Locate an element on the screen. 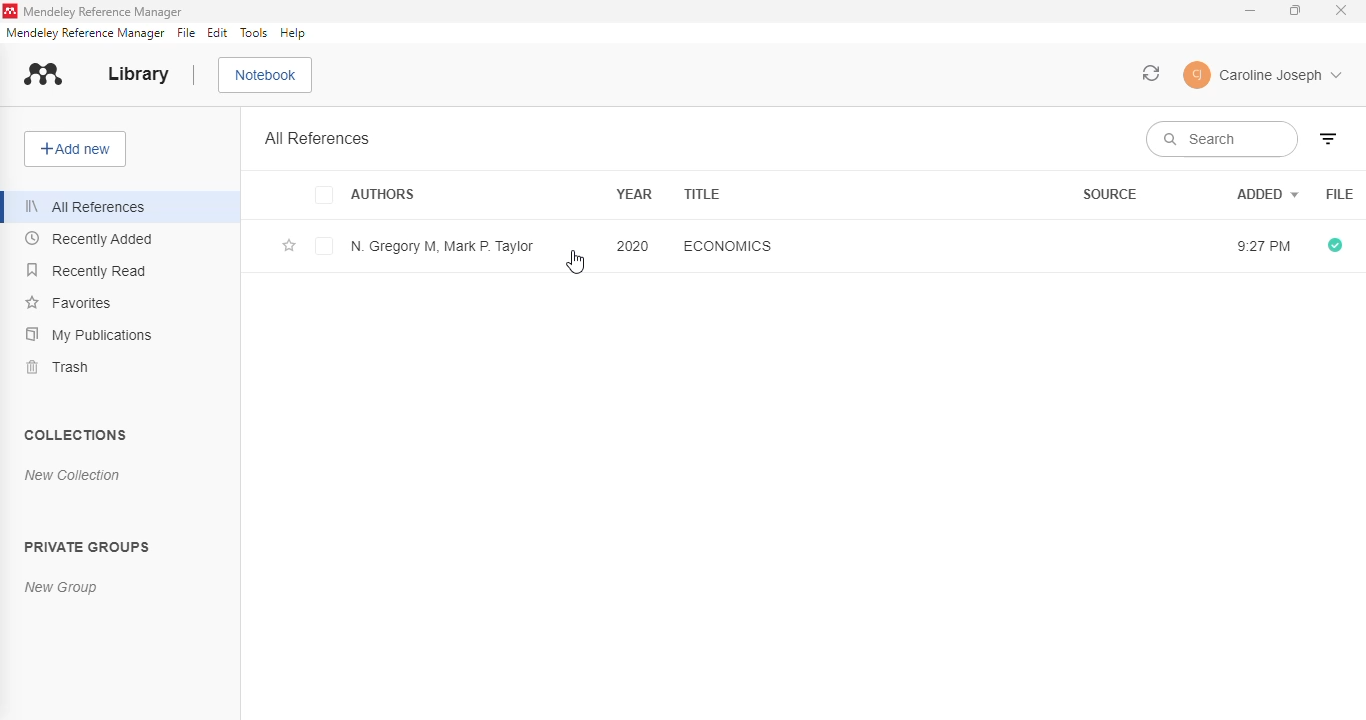  search is located at coordinates (1220, 139).